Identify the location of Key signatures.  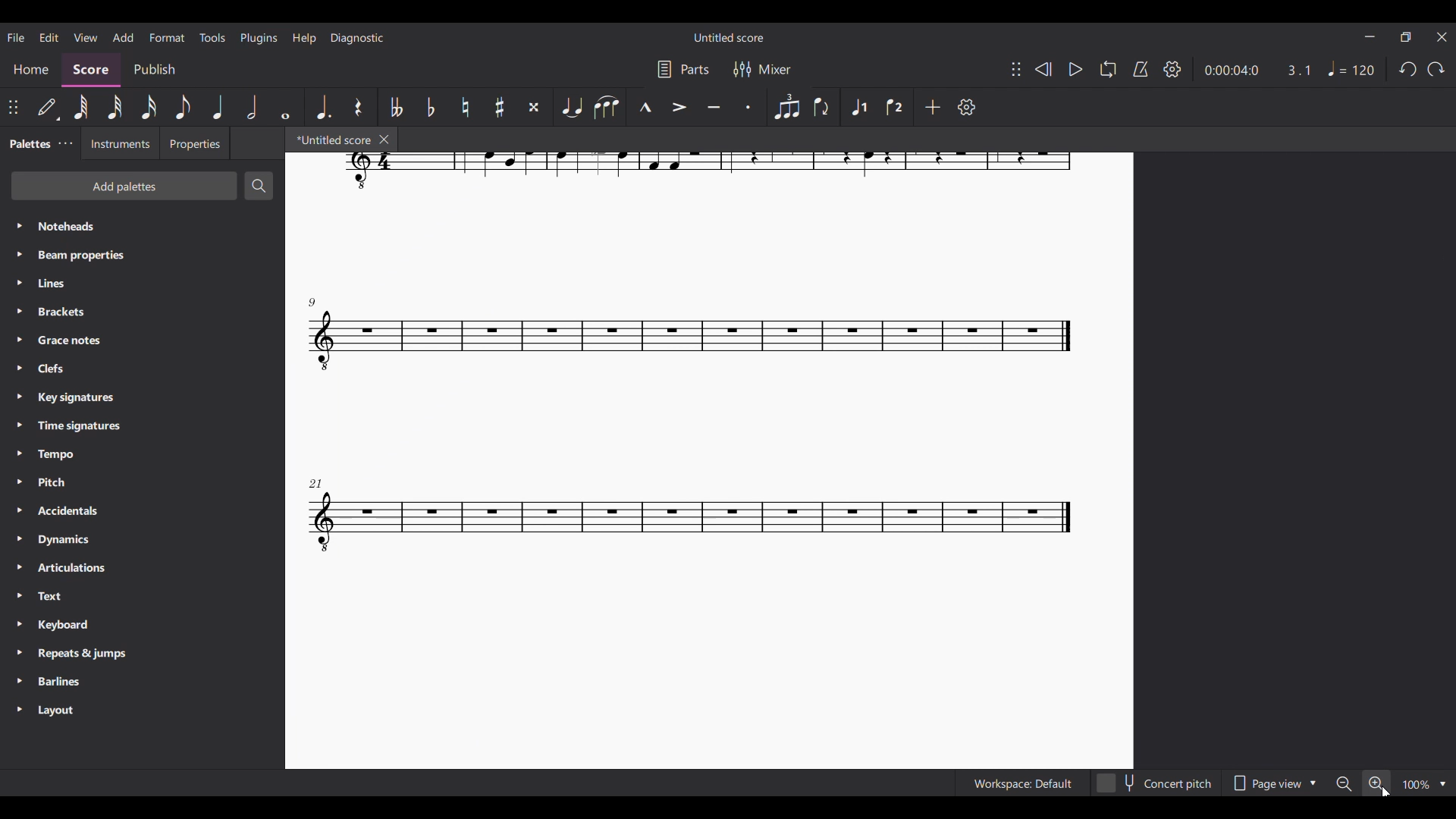
(142, 398).